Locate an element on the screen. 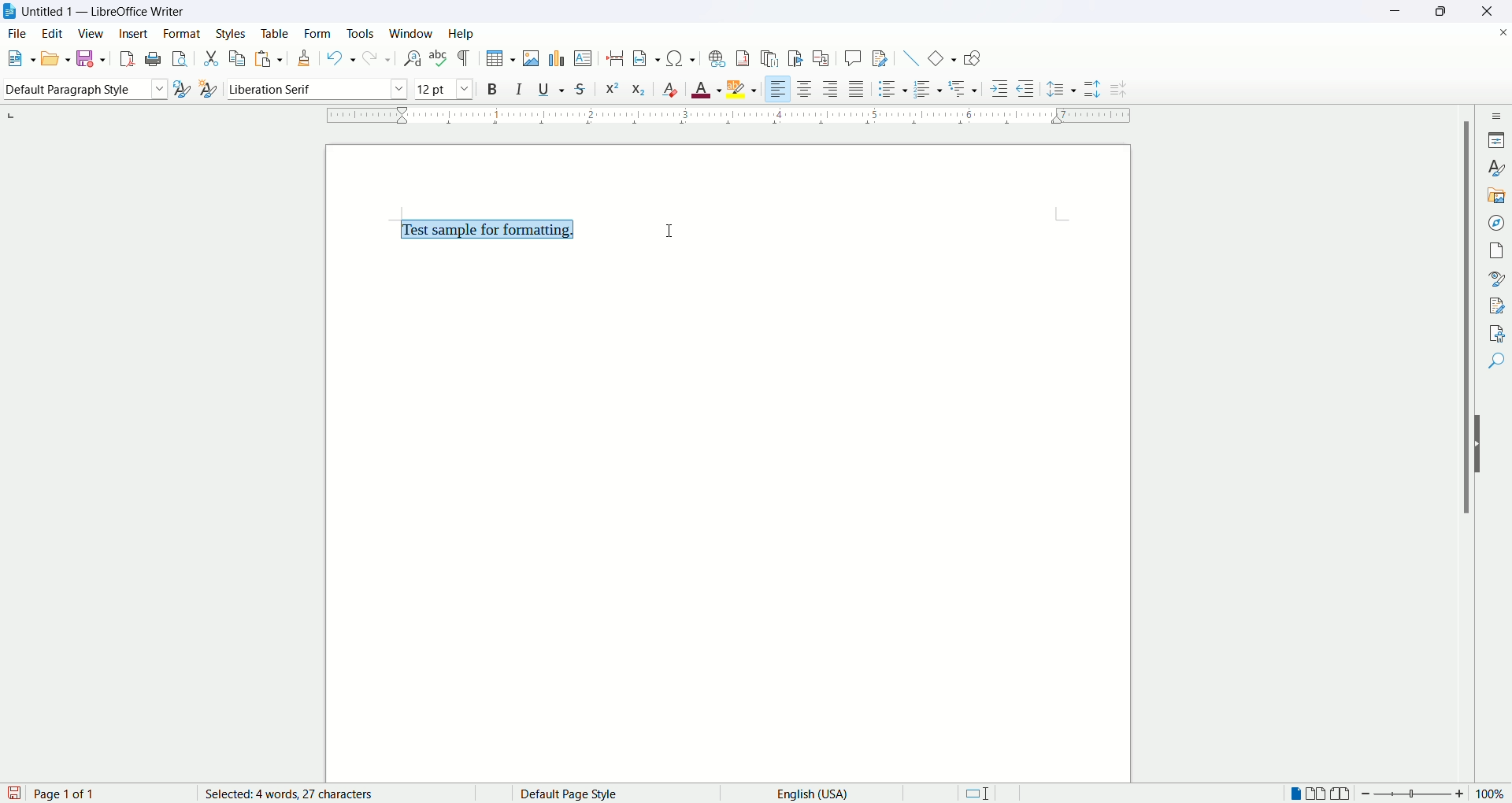 The width and height of the screenshot is (1512, 803). minimize is located at coordinates (1398, 12).